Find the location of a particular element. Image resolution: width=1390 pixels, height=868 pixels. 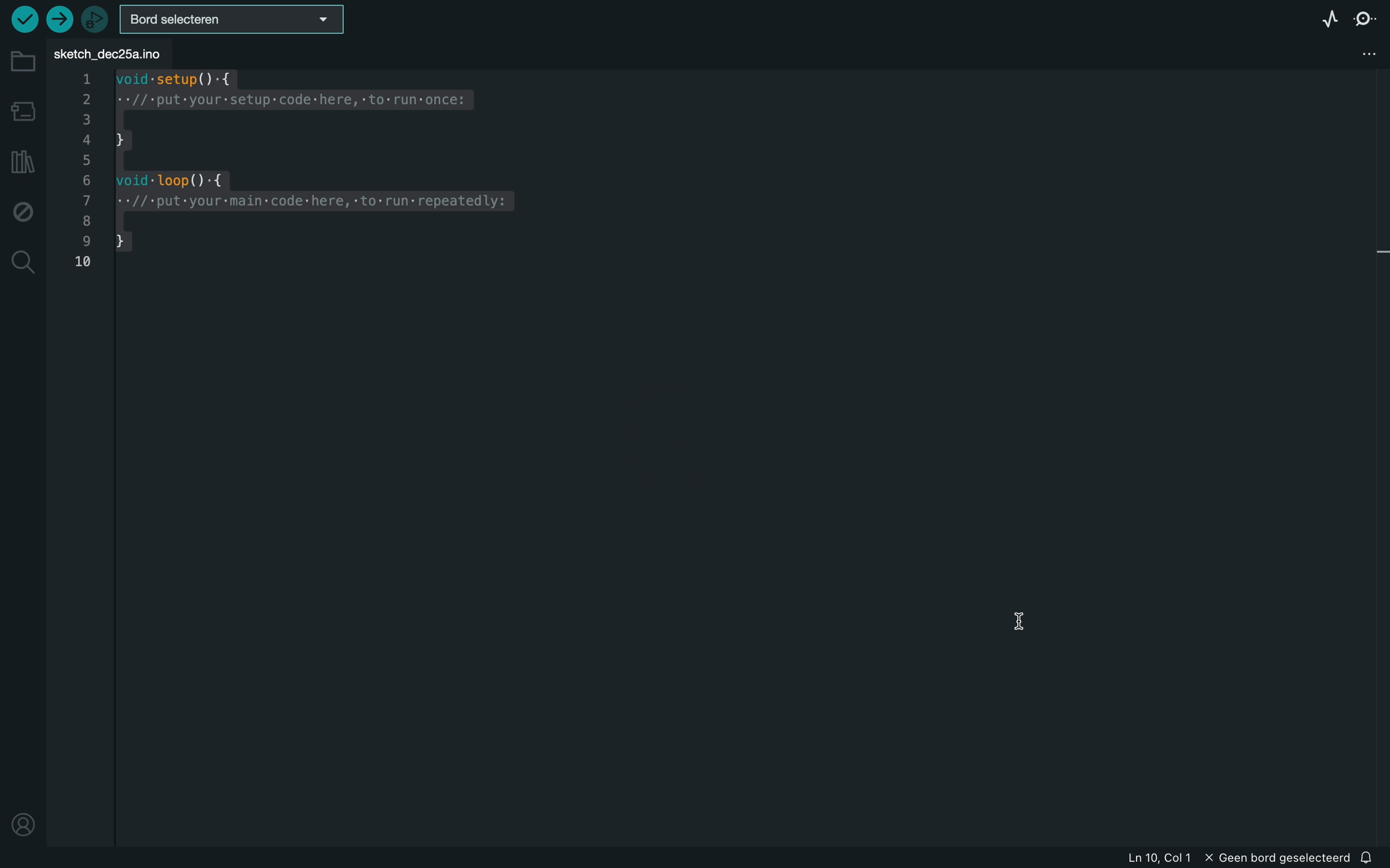

file  setting is located at coordinates (1356, 53).